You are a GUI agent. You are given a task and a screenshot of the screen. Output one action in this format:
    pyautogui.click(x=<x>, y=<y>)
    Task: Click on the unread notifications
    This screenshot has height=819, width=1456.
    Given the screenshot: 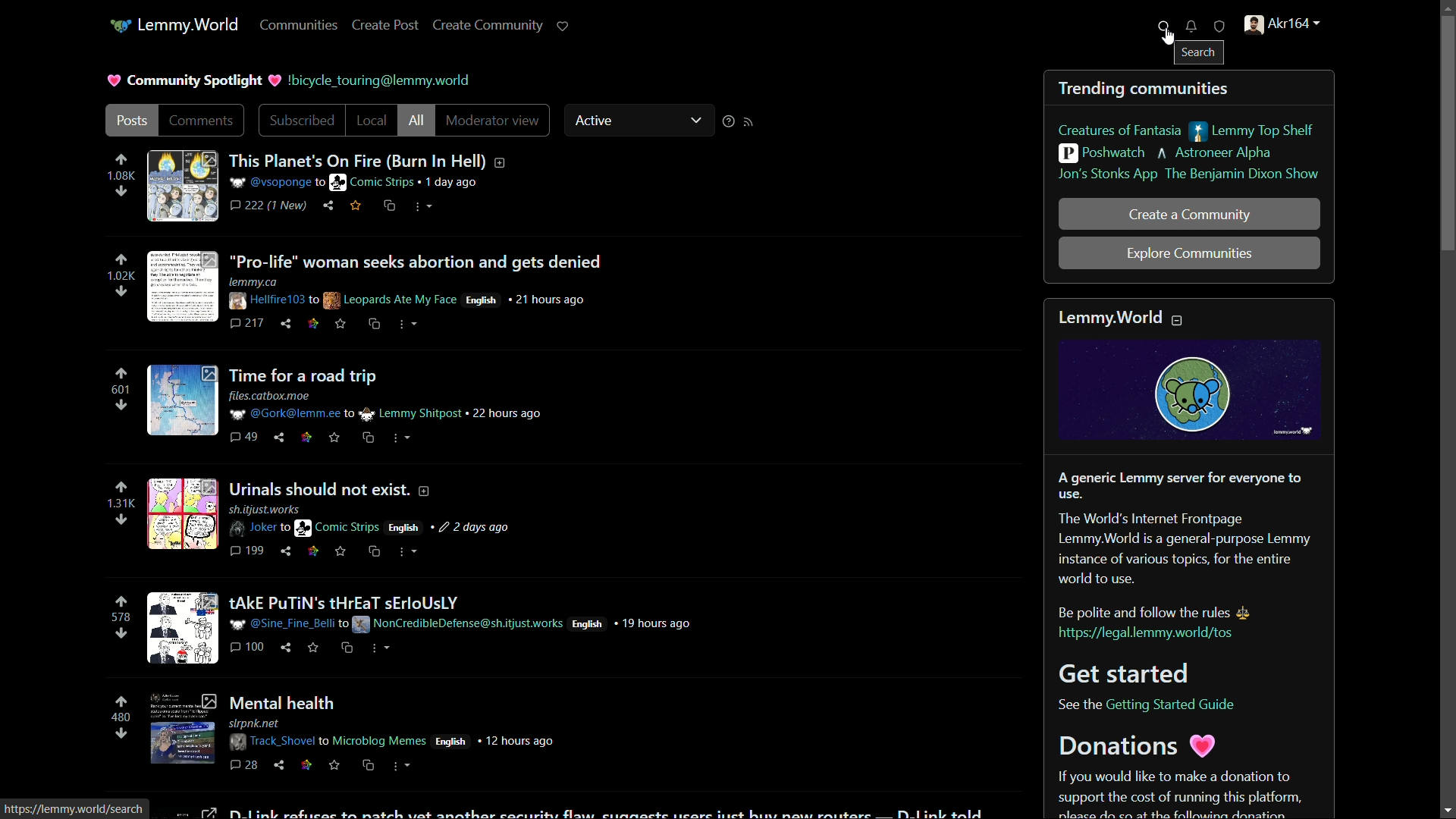 What is the action you would take?
    pyautogui.click(x=1191, y=27)
    